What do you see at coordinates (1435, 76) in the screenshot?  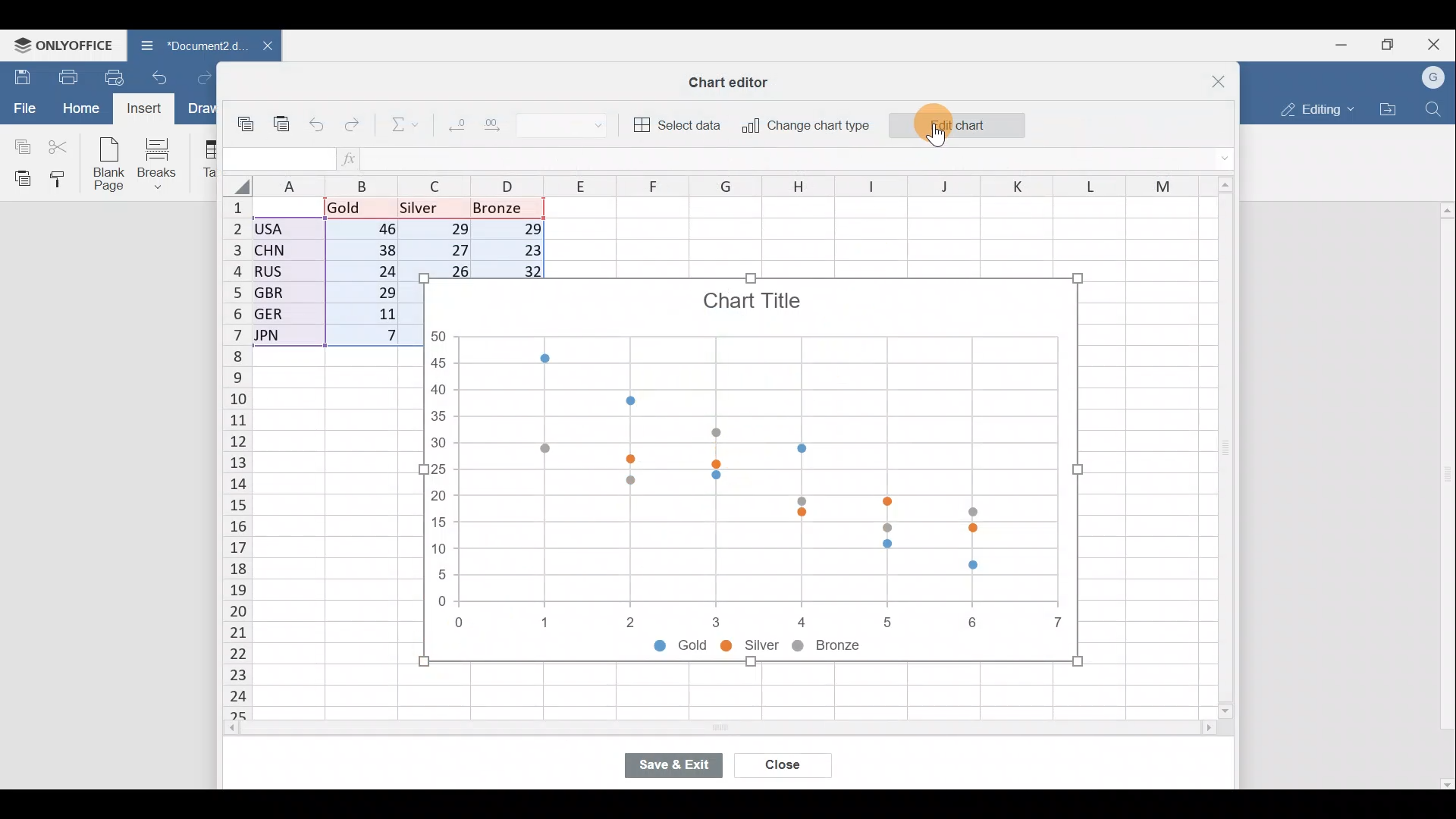 I see `Account name` at bounding box center [1435, 76].